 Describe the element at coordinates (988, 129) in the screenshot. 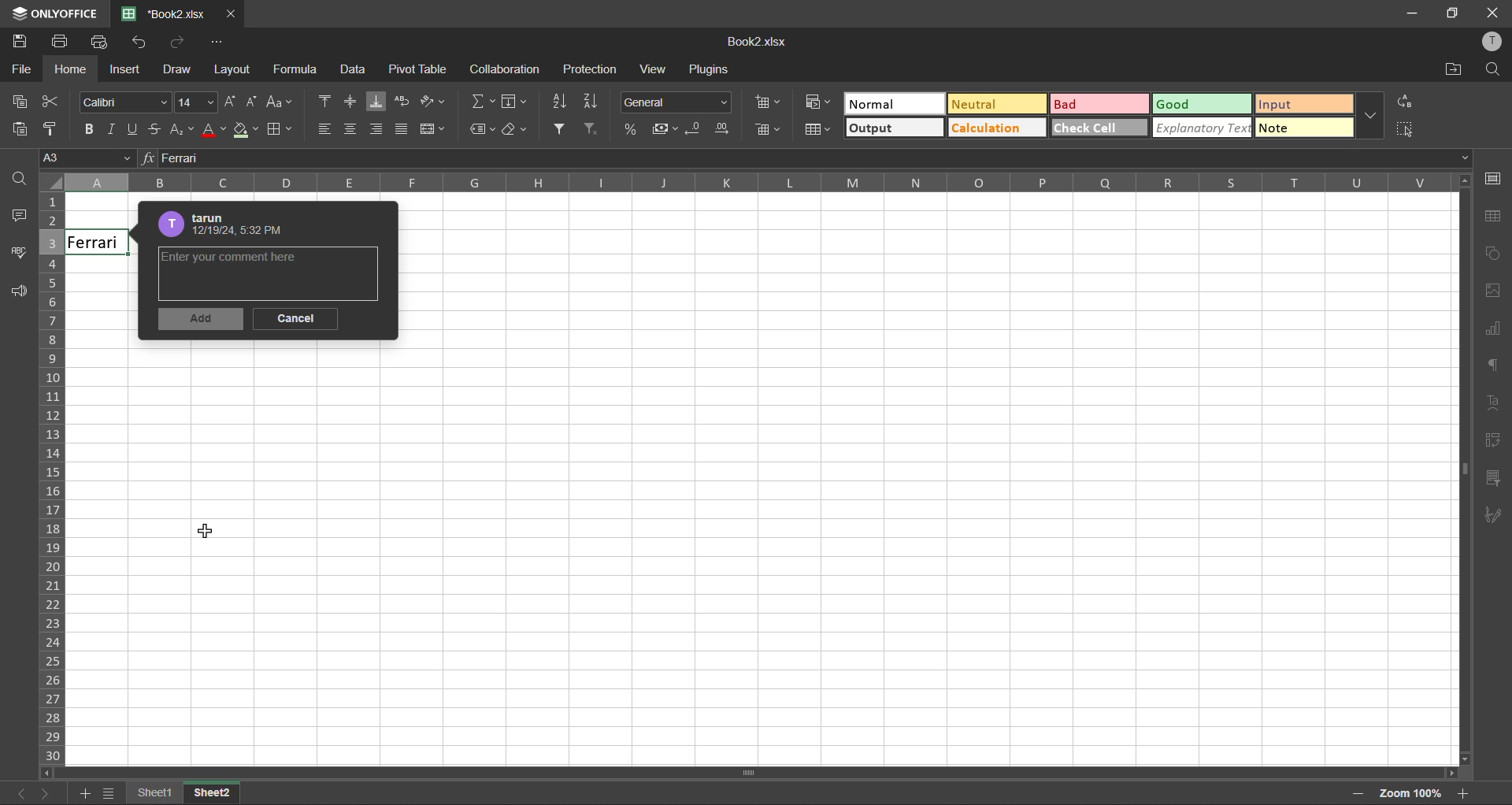

I see `calculation` at that location.